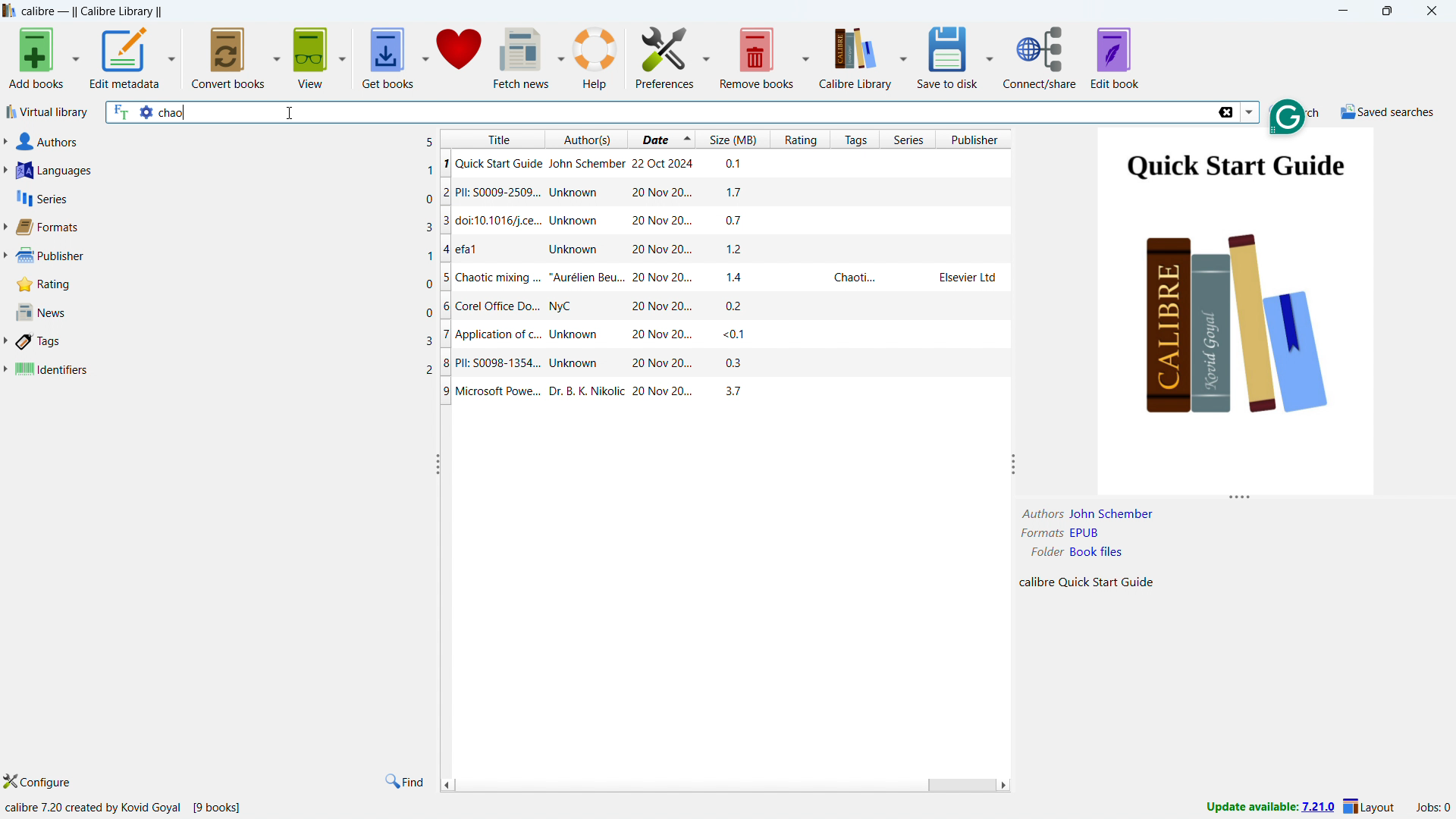 This screenshot has height=819, width=1456. Describe the element at coordinates (229, 56) in the screenshot. I see `convert books` at that location.